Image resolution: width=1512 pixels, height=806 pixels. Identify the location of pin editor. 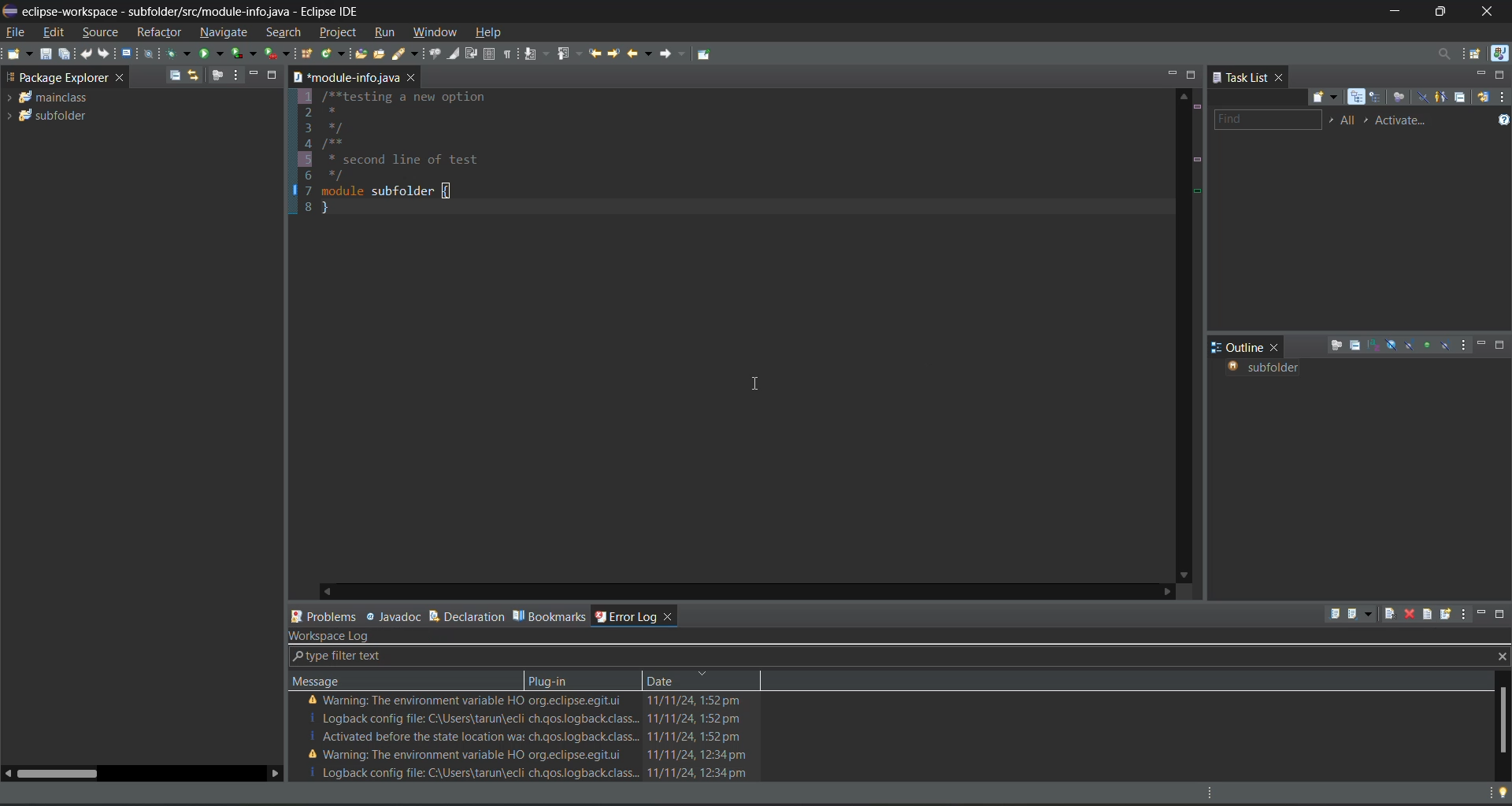
(704, 54).